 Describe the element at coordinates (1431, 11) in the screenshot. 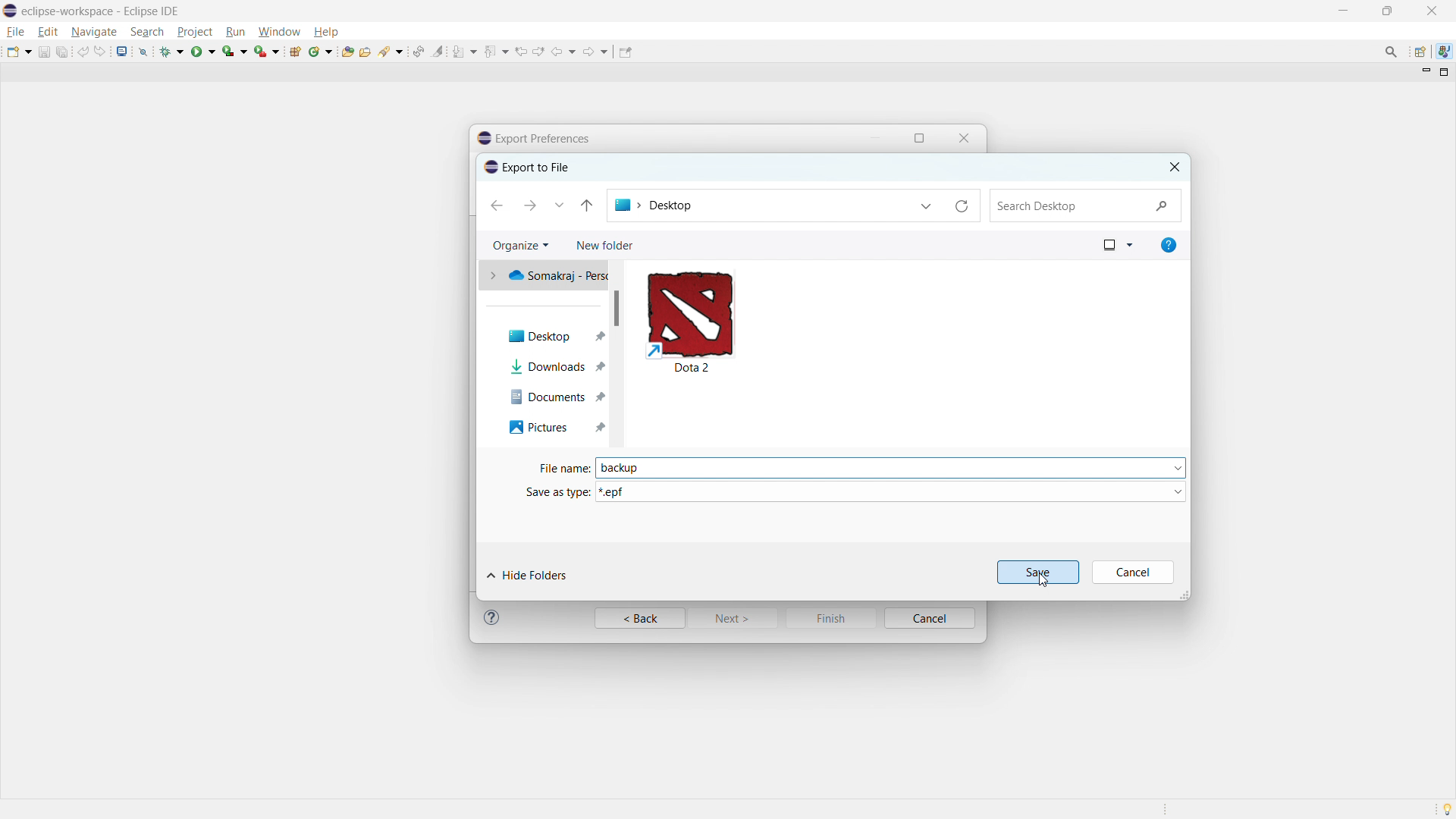

I see `close` at that location.